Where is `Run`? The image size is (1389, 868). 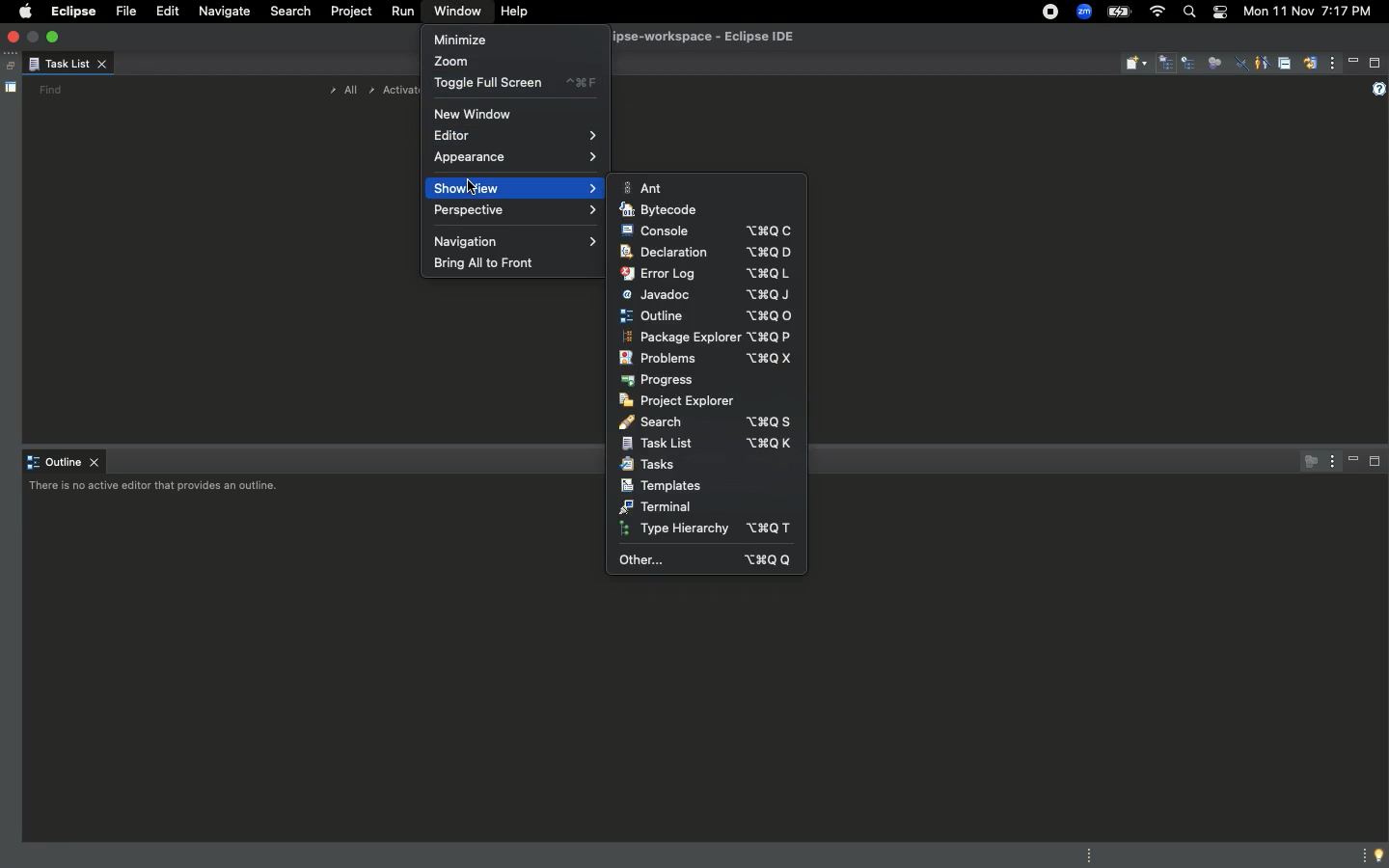
Run is located at coordinates (400, 13).